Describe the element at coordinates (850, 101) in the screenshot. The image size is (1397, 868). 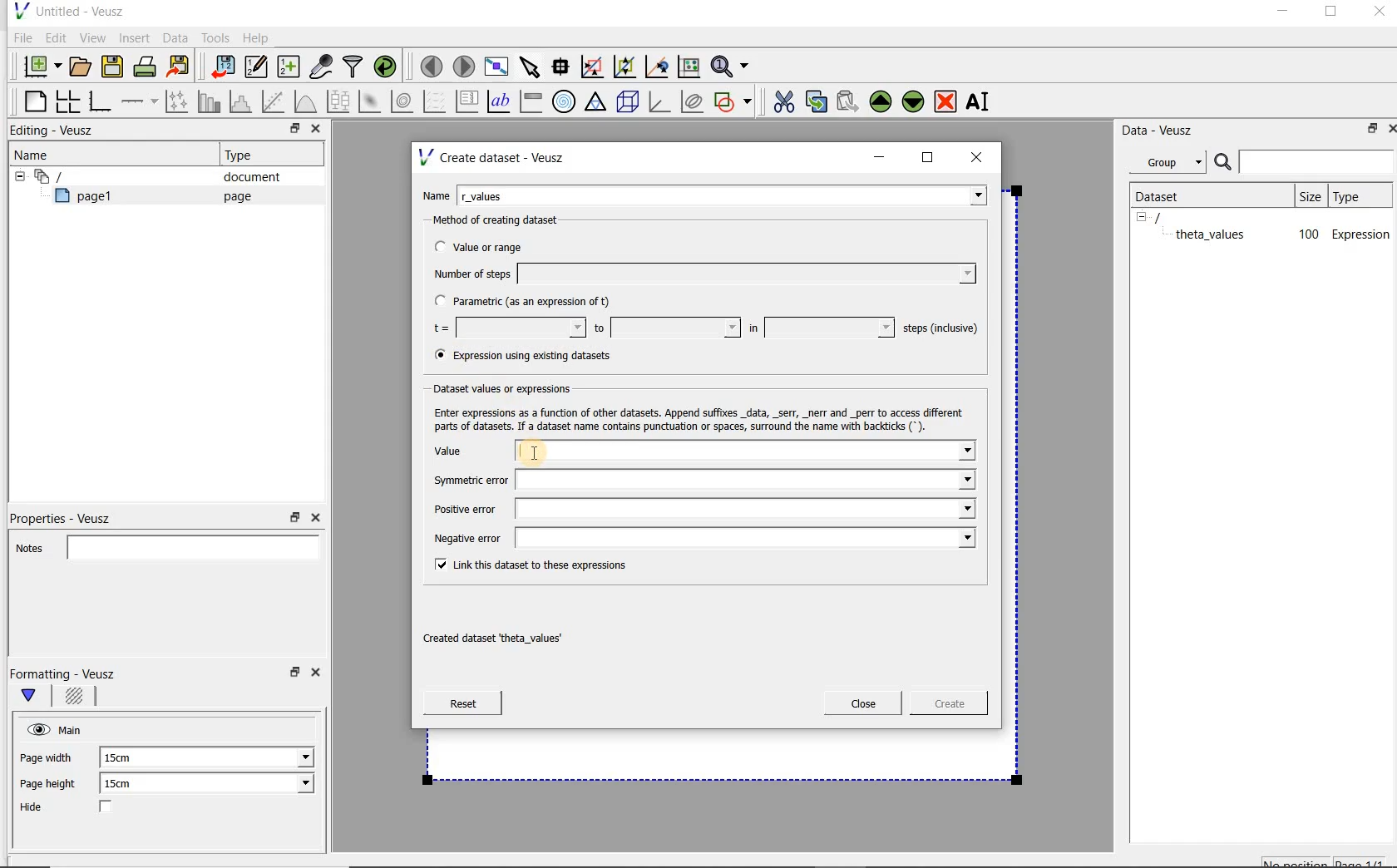
I see `Paste widget from the clipboard` at that location.